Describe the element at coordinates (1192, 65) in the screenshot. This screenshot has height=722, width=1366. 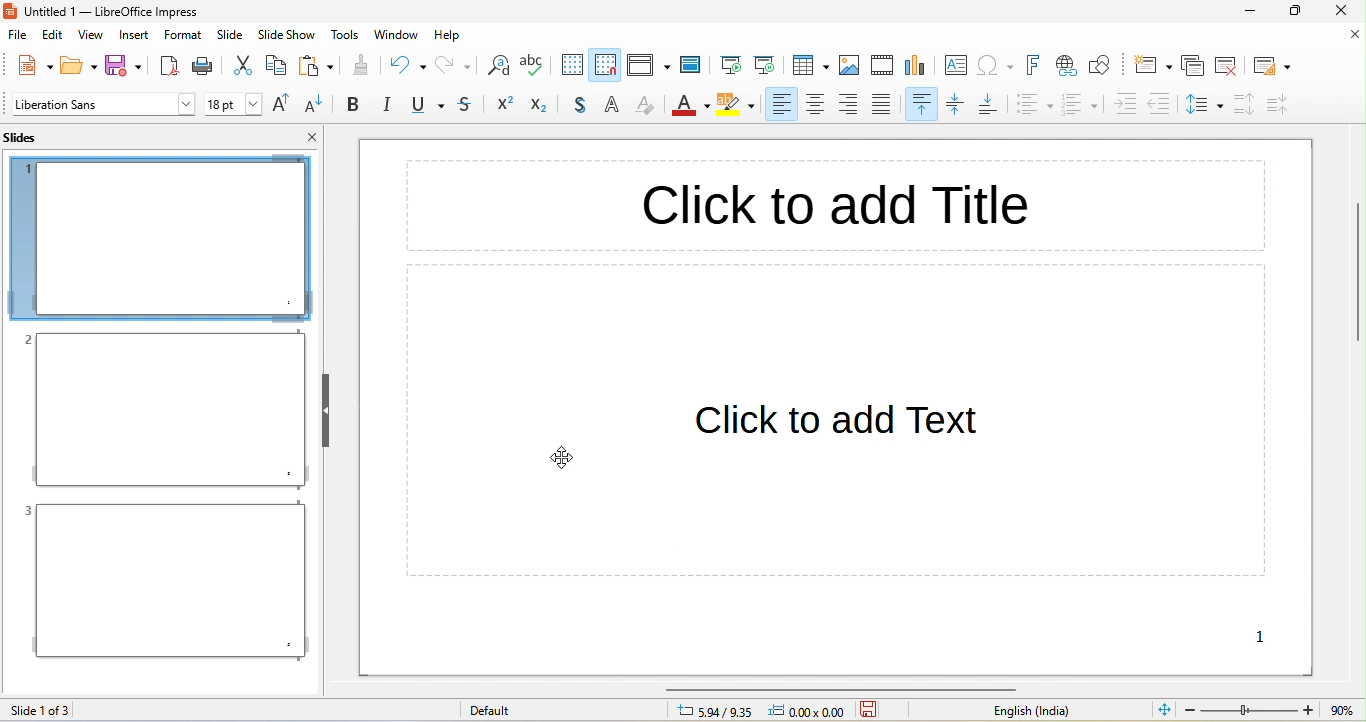
I see `duplicate slide` at that location.